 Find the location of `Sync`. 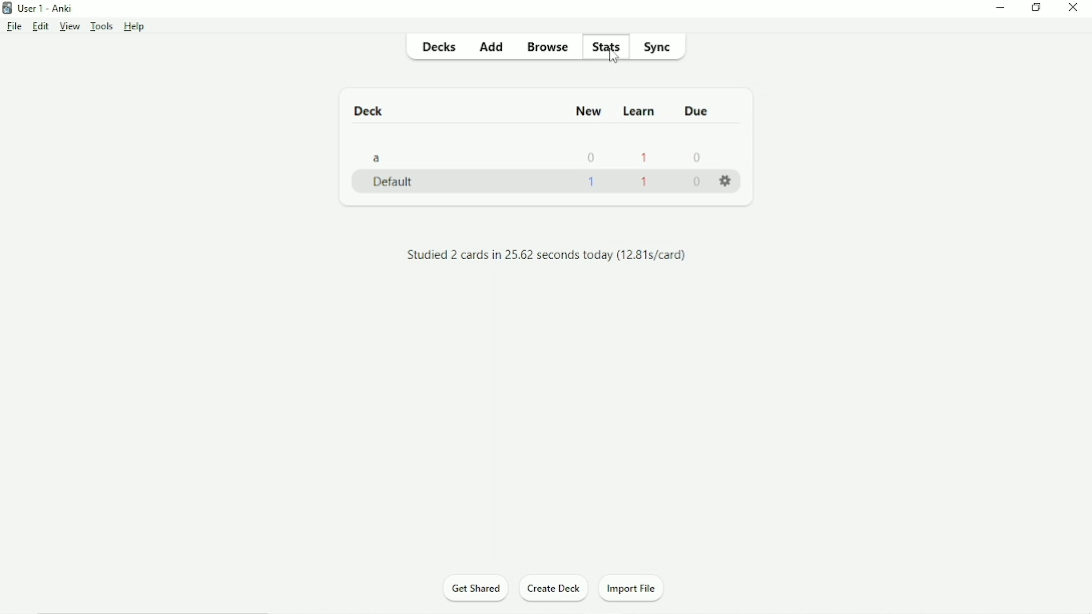

Sync is located at coordinates (655, 47).